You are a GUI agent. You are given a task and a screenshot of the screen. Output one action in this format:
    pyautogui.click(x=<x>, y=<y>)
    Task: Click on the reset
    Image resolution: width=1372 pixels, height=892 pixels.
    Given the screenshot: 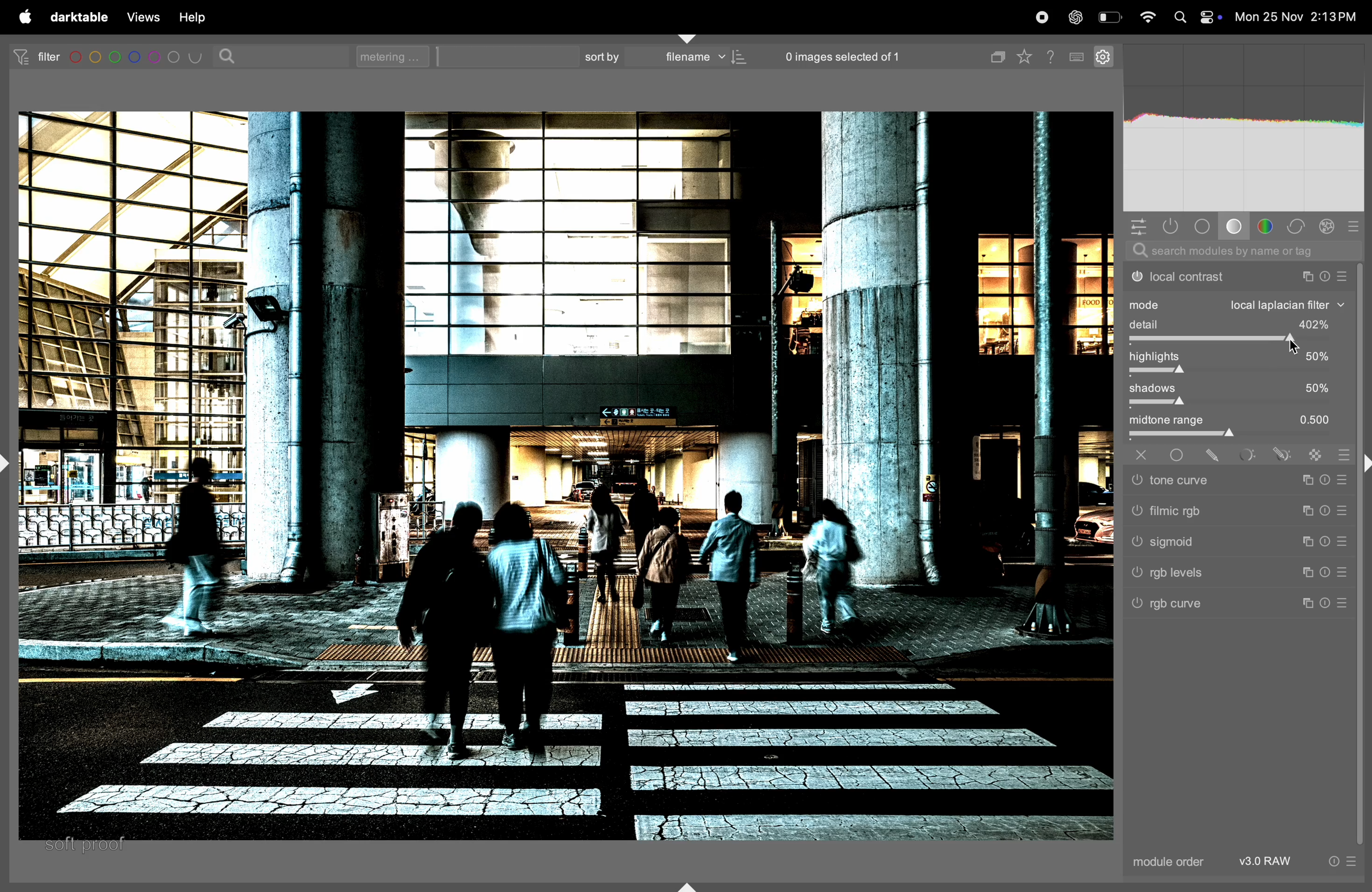 What is the action you would take?
    pyautogui.click(x=1326, y=571)
    